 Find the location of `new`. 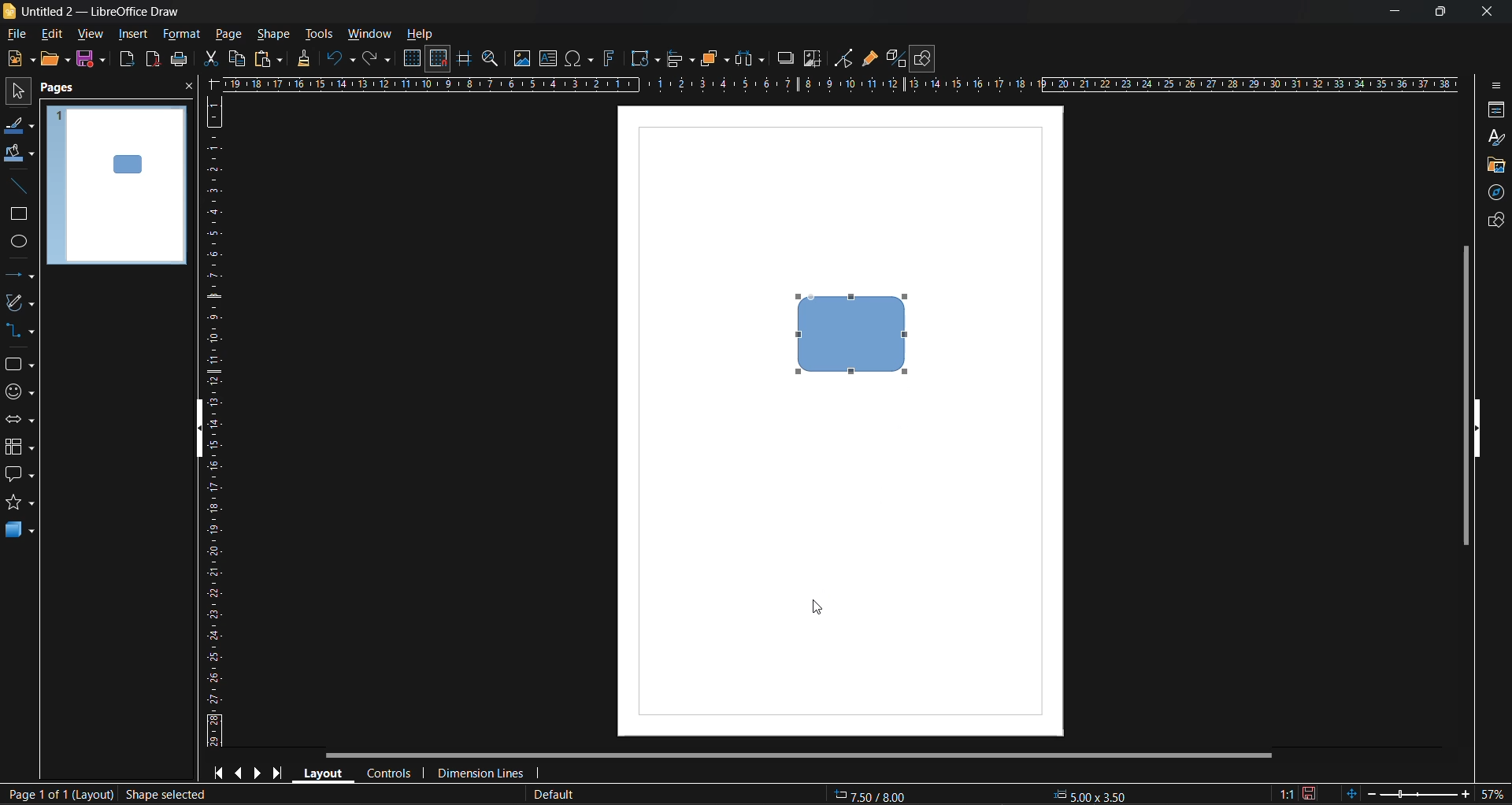

new is located at coordinates (20, 58).